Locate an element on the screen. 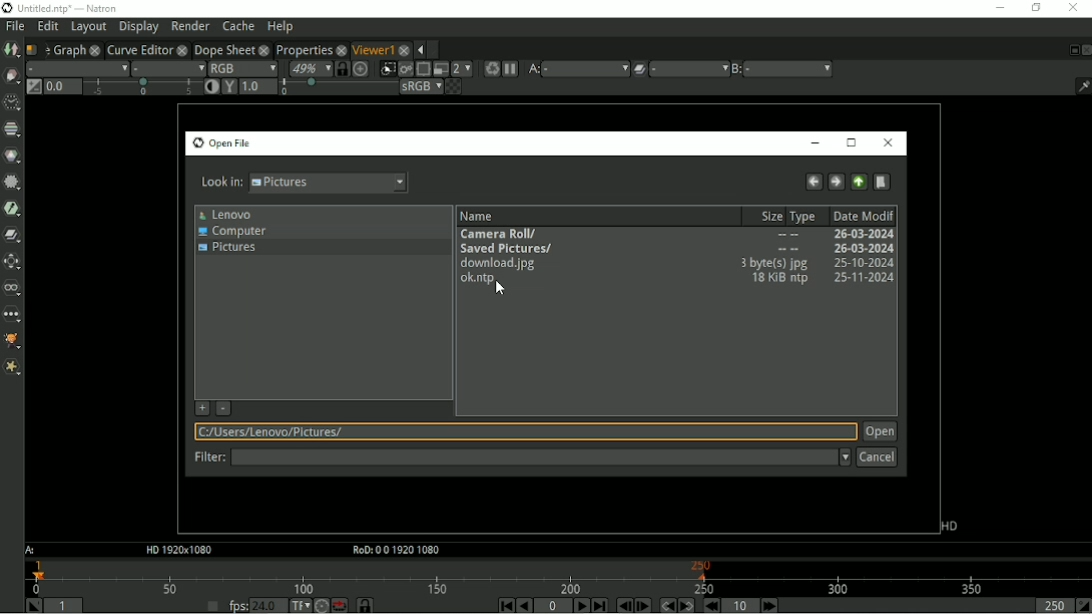 The image size is (1092, 614). Size is located at coordinates (768, 216).